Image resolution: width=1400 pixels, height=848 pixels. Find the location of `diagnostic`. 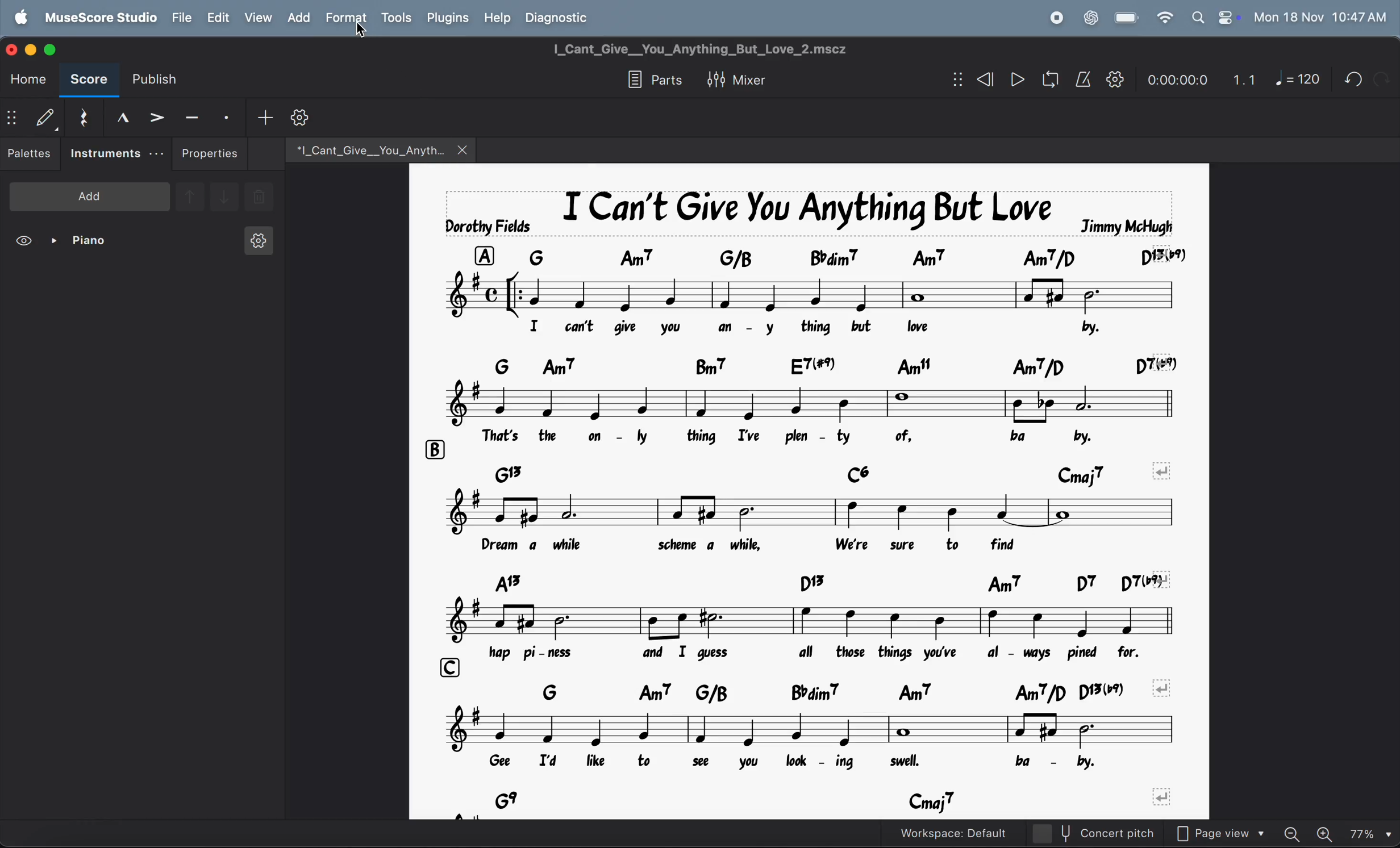

diagnostic is located at coordinates (563, 17).